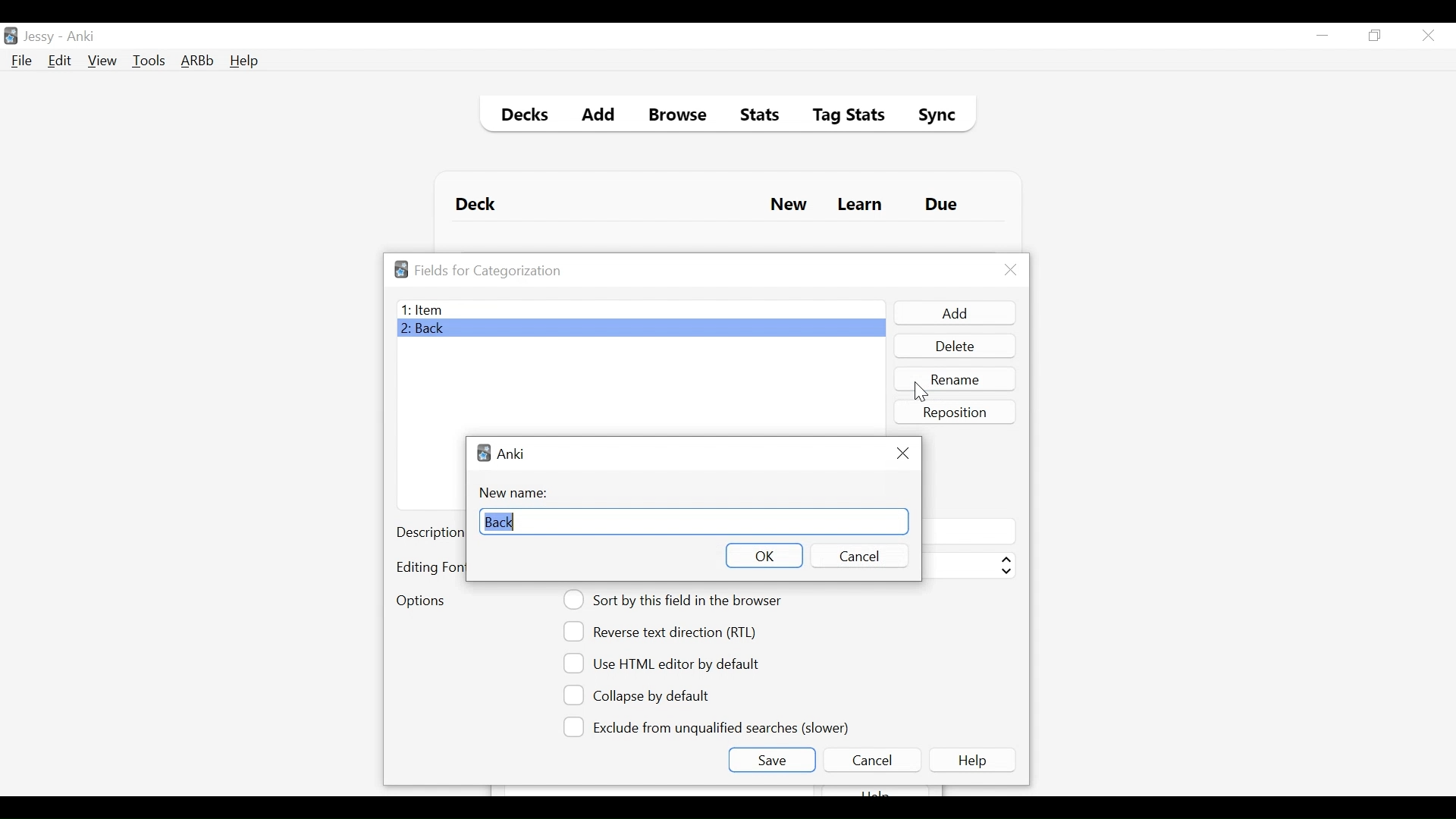  Describe the element at coordinates (943, 205) in the screenshot. I see `Due` at that location.